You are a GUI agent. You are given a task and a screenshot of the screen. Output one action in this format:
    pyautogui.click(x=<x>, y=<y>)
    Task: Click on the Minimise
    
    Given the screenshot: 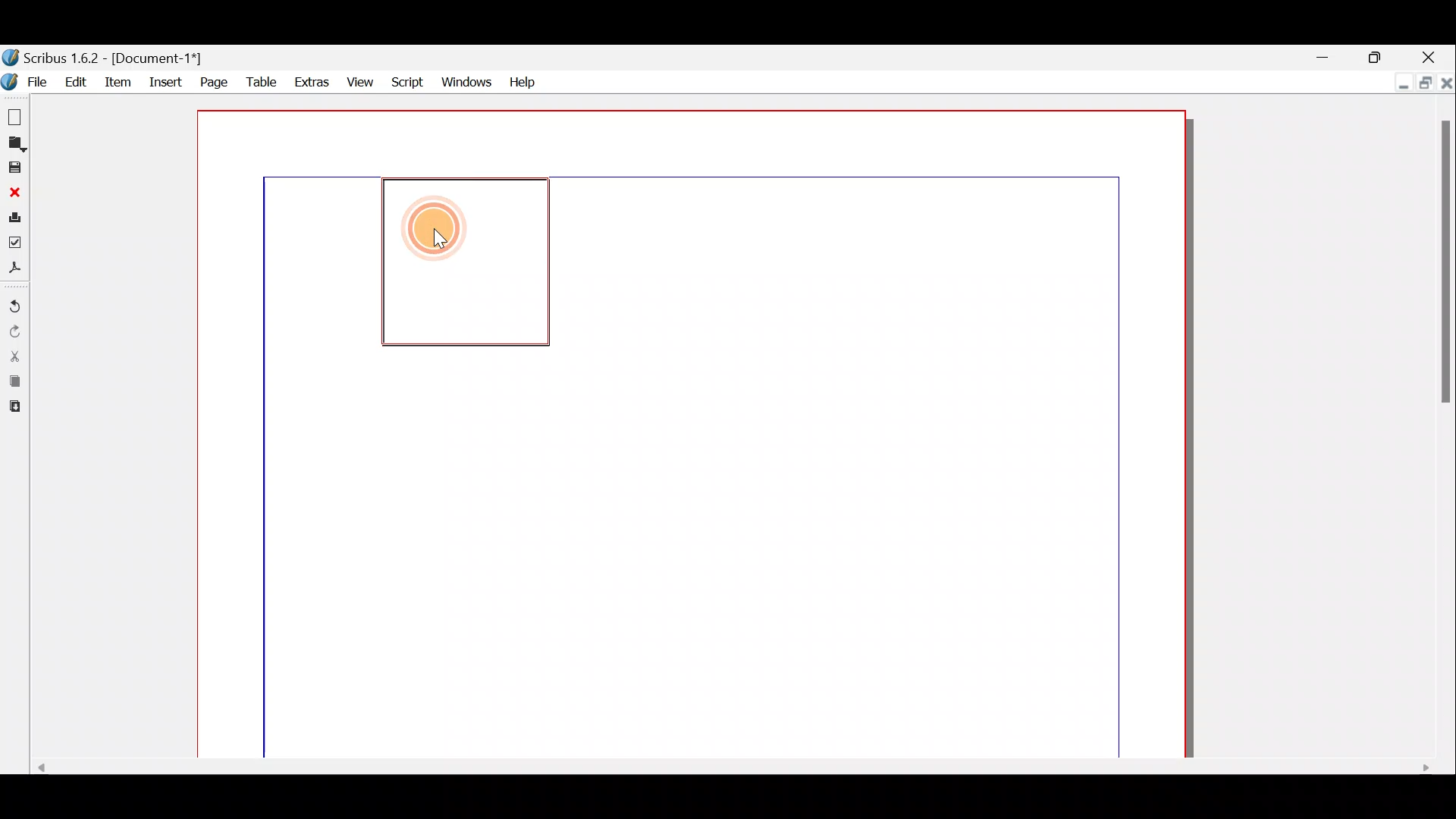 What is the action you would take?
    pyautogui.click(x=1326, y=55)
    